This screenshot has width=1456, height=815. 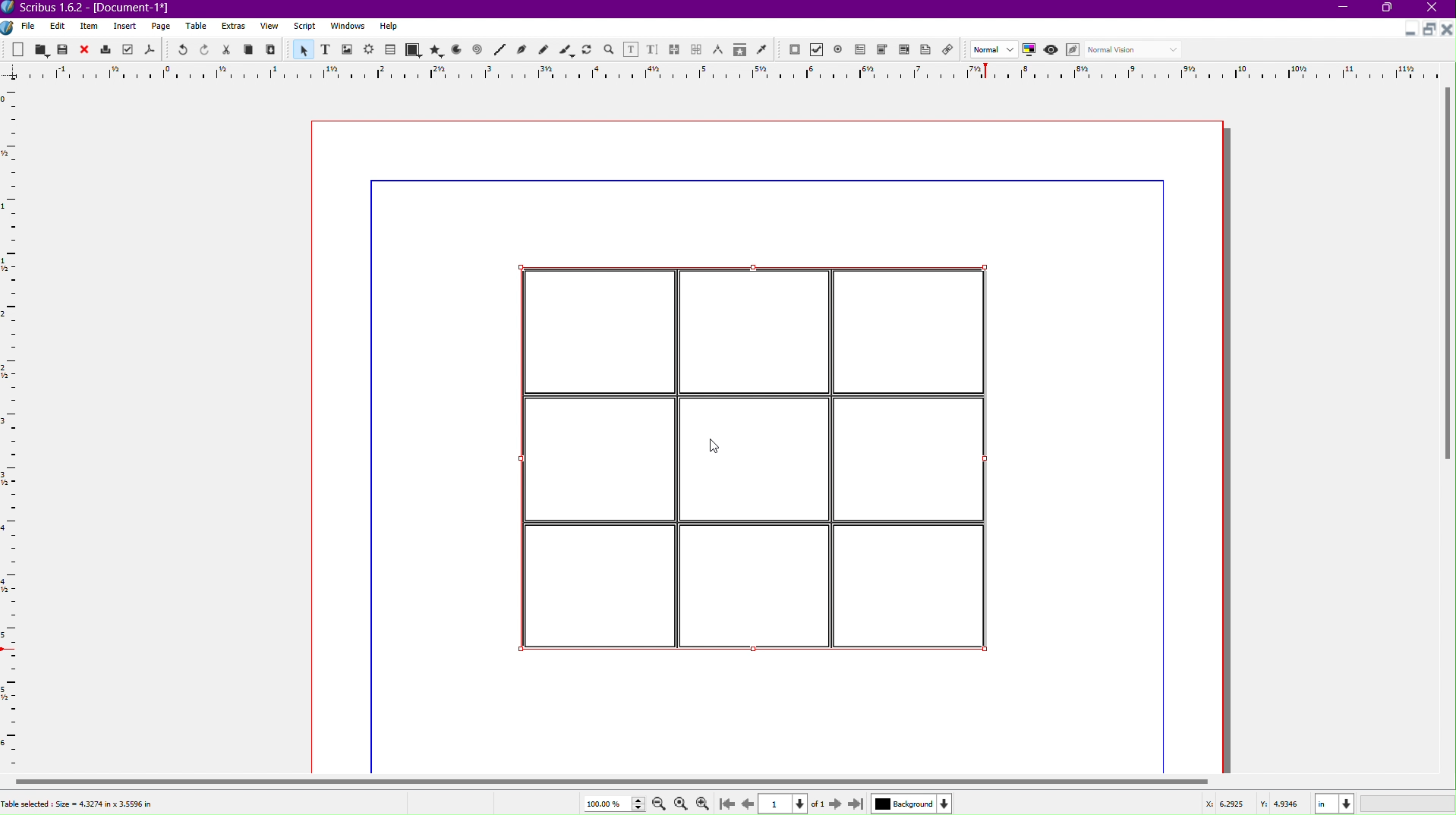 What do you see at coordinates (884, 51) in the screenshot?
I see `PDF Combo Box` at bounding box center [884, 51].